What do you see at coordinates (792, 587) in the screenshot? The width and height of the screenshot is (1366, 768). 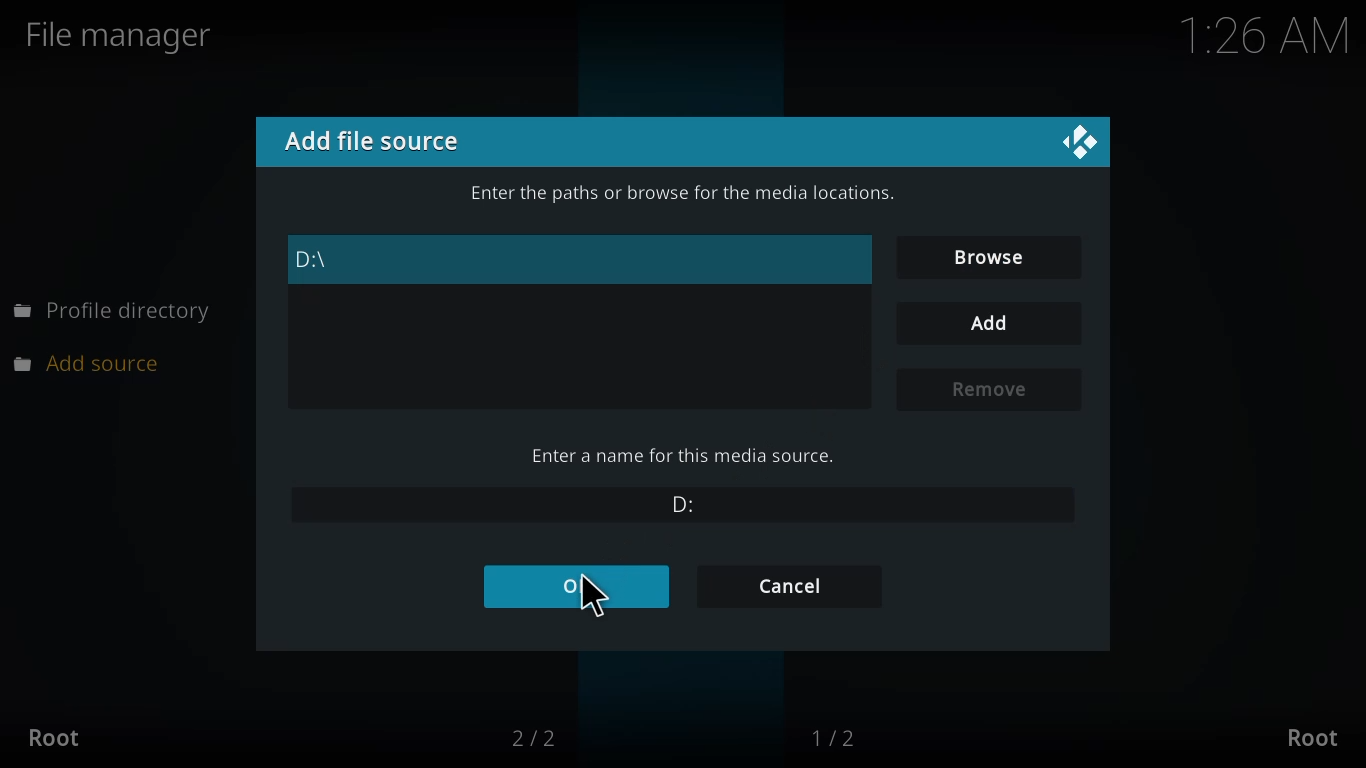 I see `Cancel` at bounding box center [792, 587].